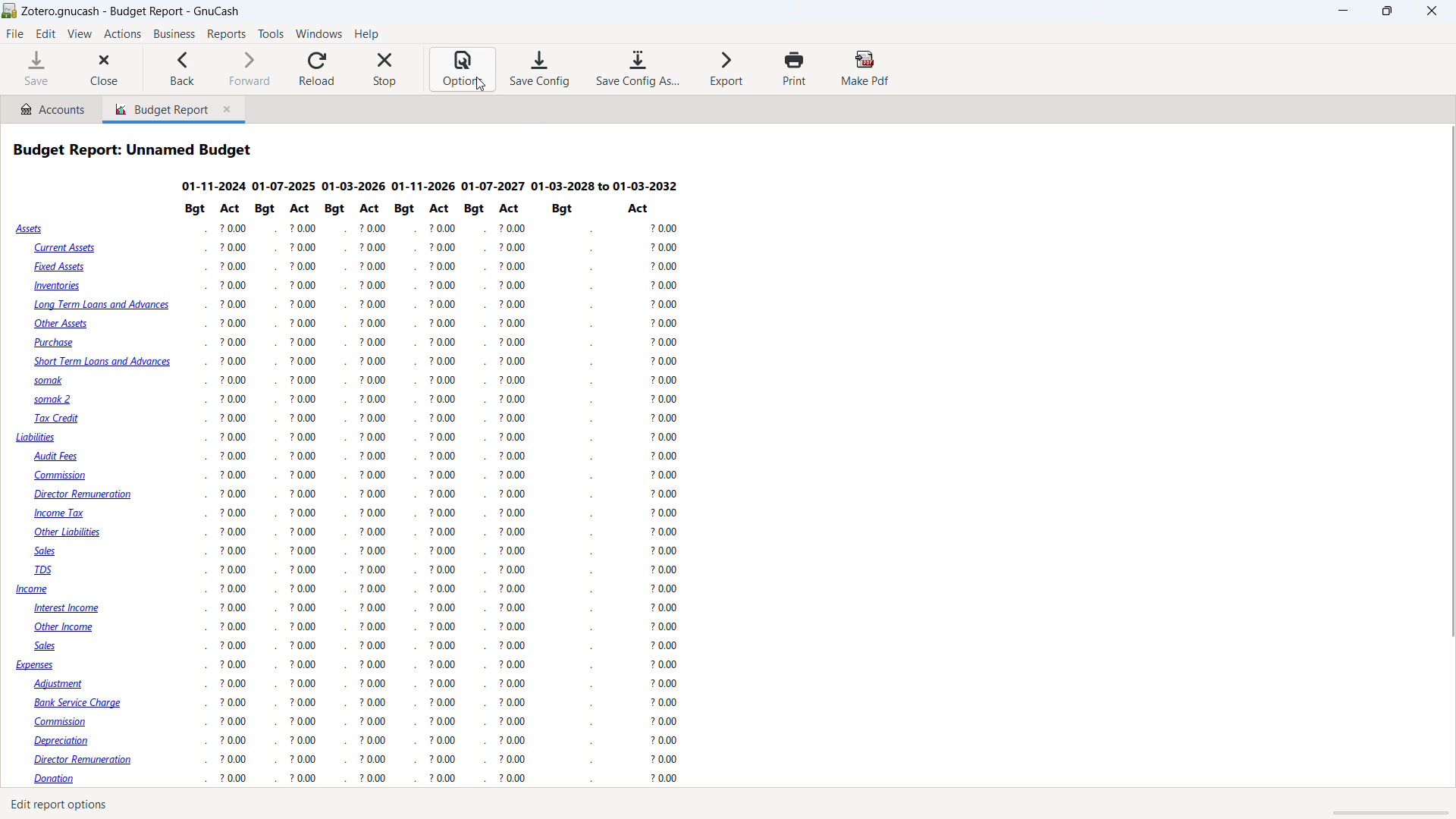  I want to click on columns, so click(453, 495).